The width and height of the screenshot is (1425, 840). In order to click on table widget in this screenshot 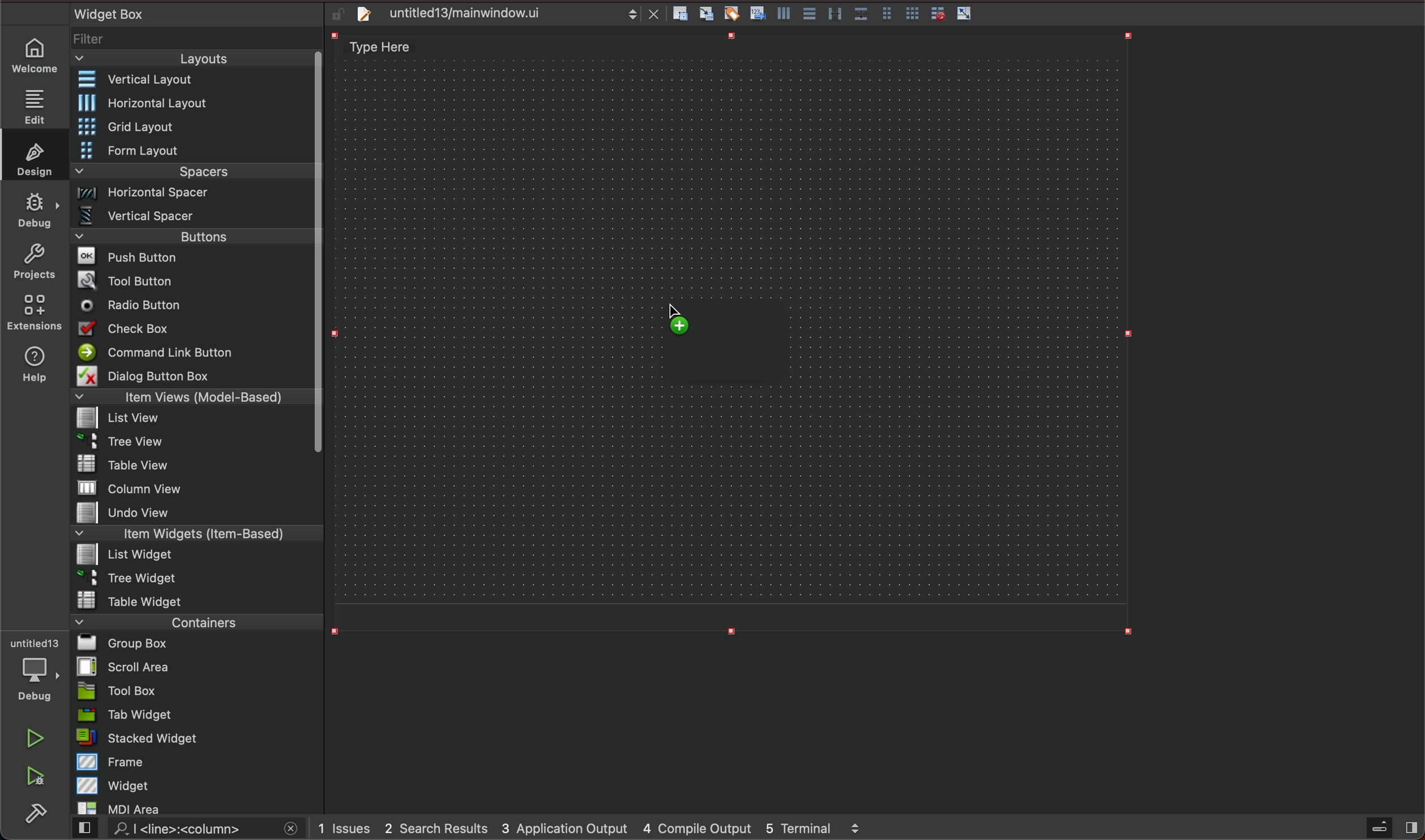, I will do `click(195, 599)`.